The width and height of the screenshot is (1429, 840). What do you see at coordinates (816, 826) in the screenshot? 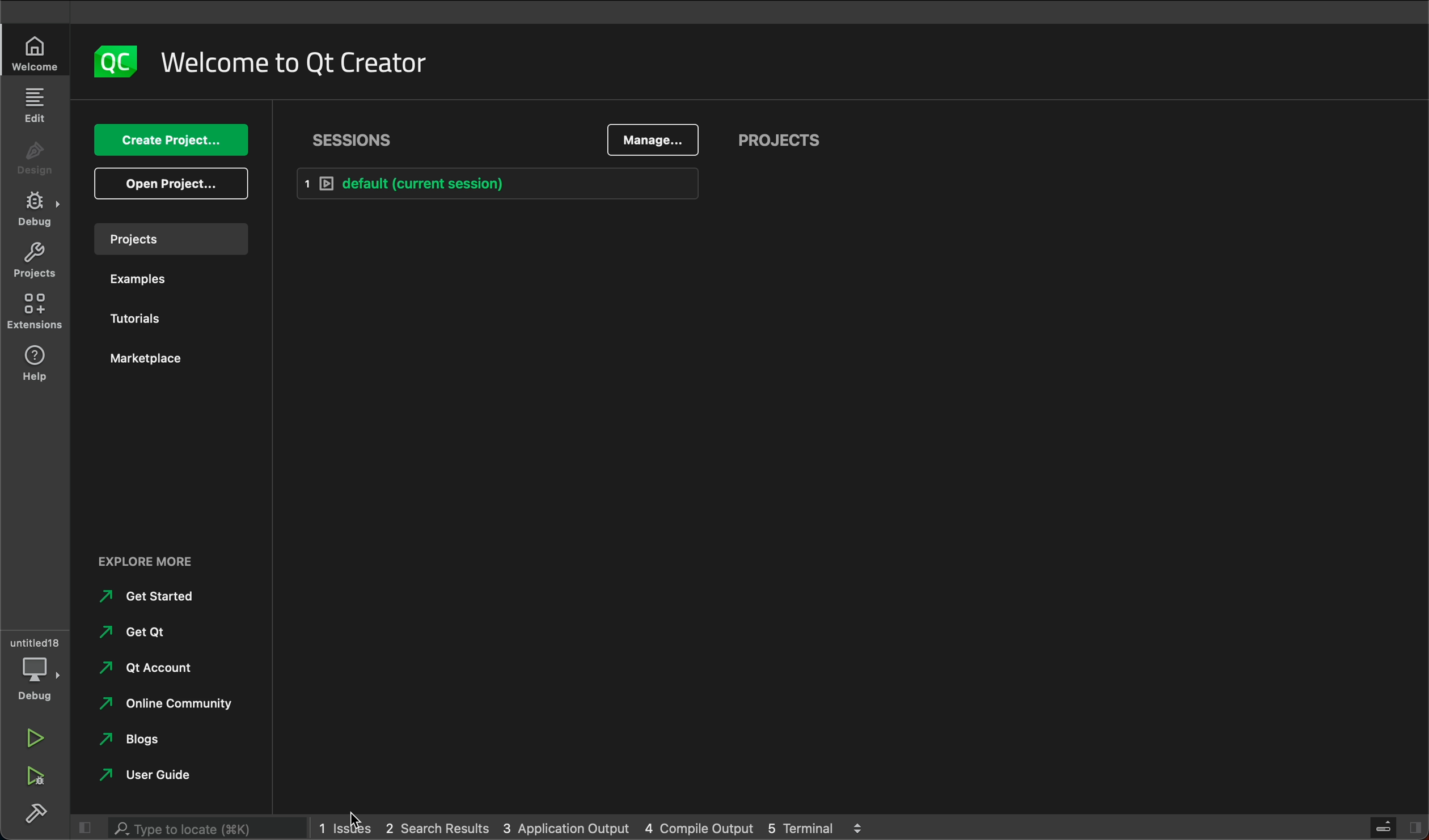
I see `5 terminal` at bounding box center [816, 826].